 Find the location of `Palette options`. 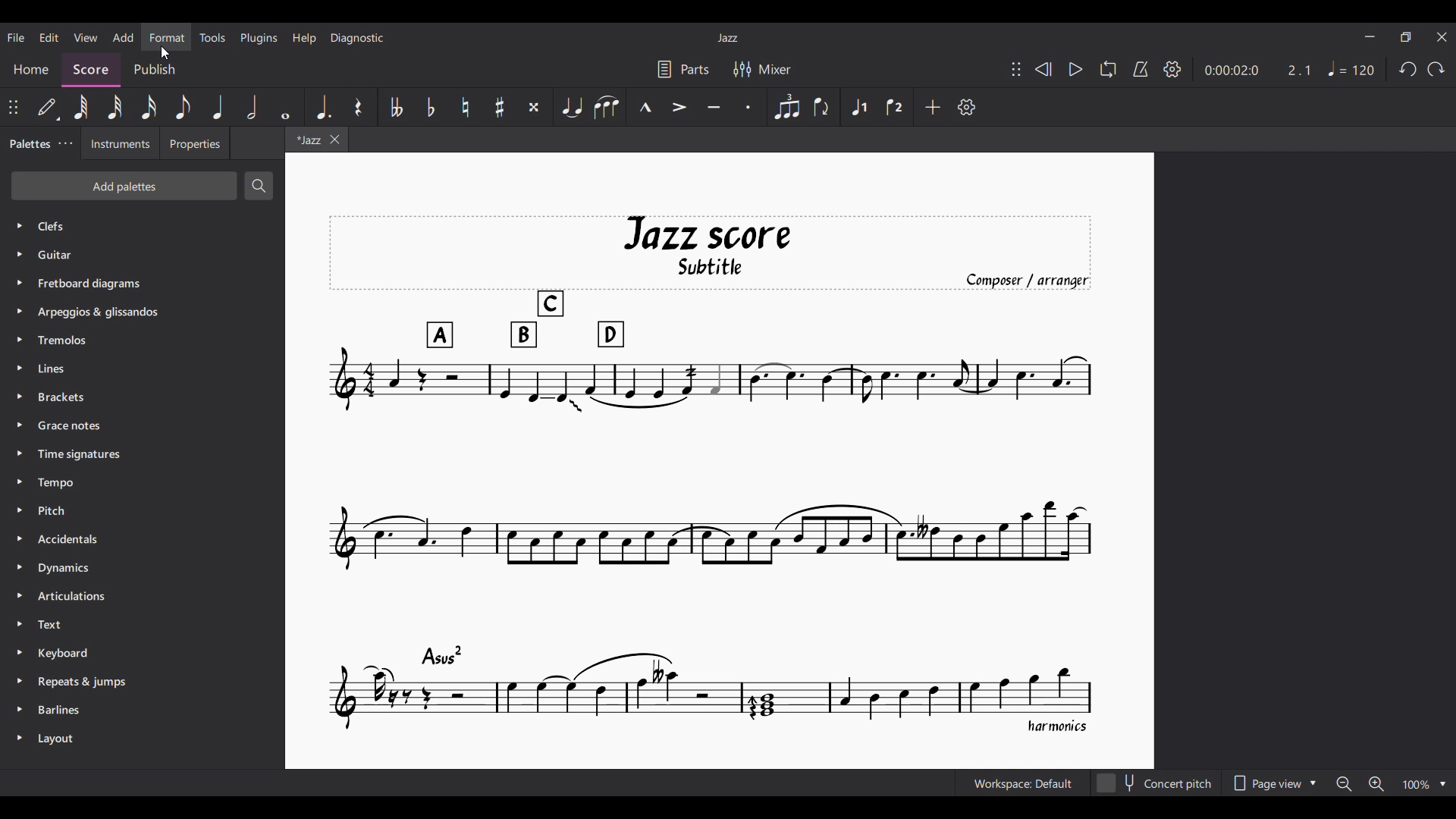

Palette options is located at coordinates (57, 227).